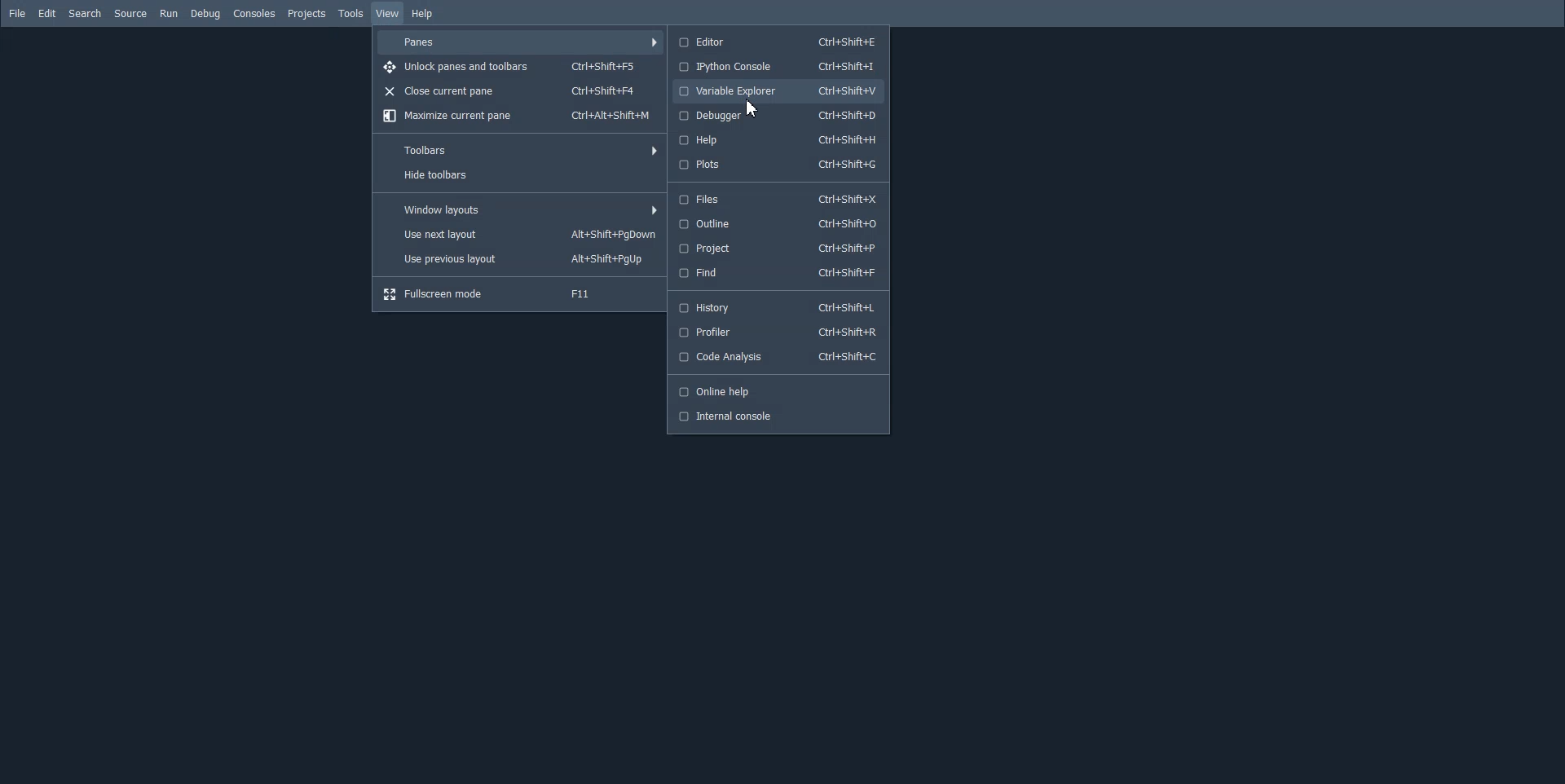 The image size is (1565, 784). What do you see at coordinates (776, 272) in the screenshot?
I see `Find` at bounding box center [776, 272].